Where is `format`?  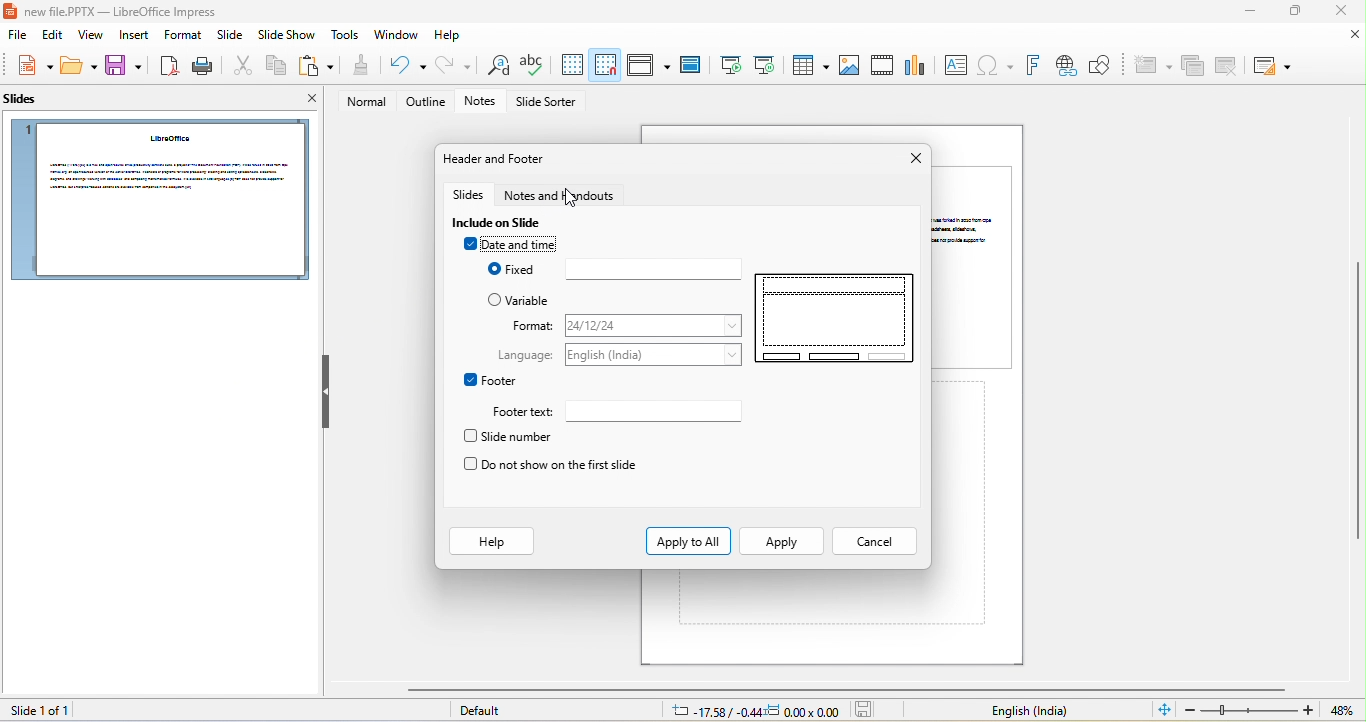
format is located at coordinates (651, 324).